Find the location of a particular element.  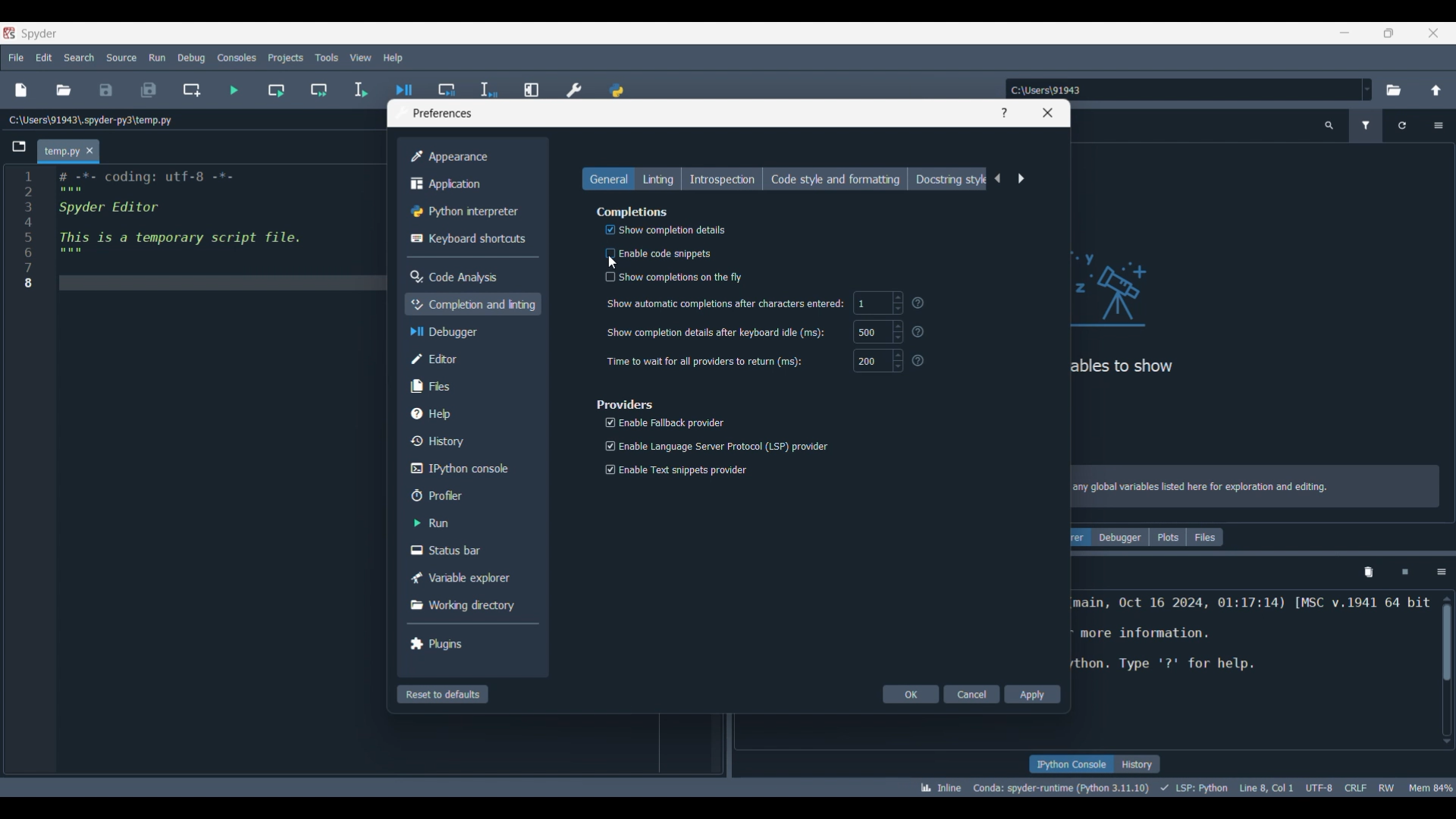

Variable explorer is located at coordinates (469, 578).